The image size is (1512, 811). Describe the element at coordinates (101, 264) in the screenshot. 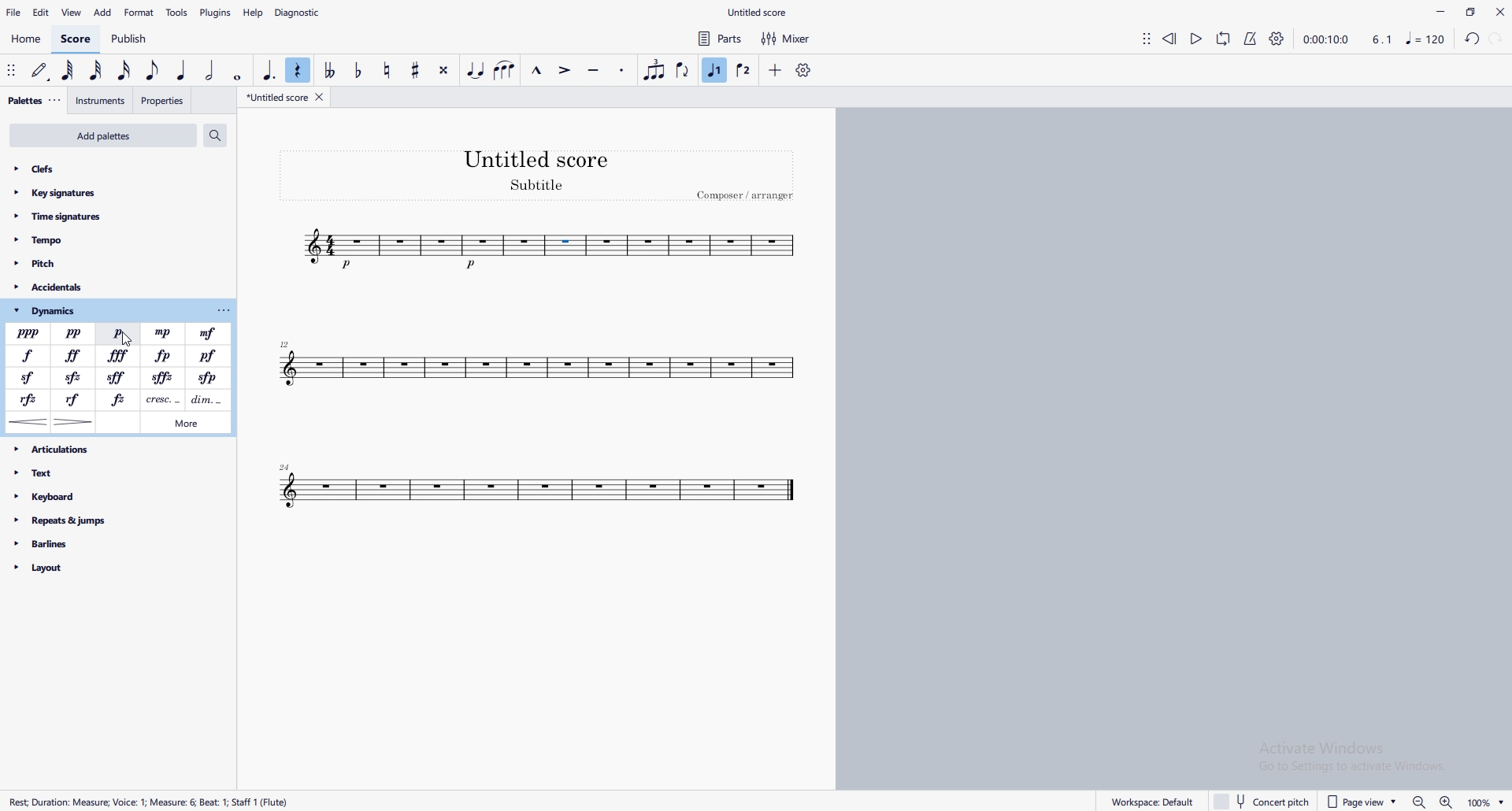

I see `pitch` at that location.